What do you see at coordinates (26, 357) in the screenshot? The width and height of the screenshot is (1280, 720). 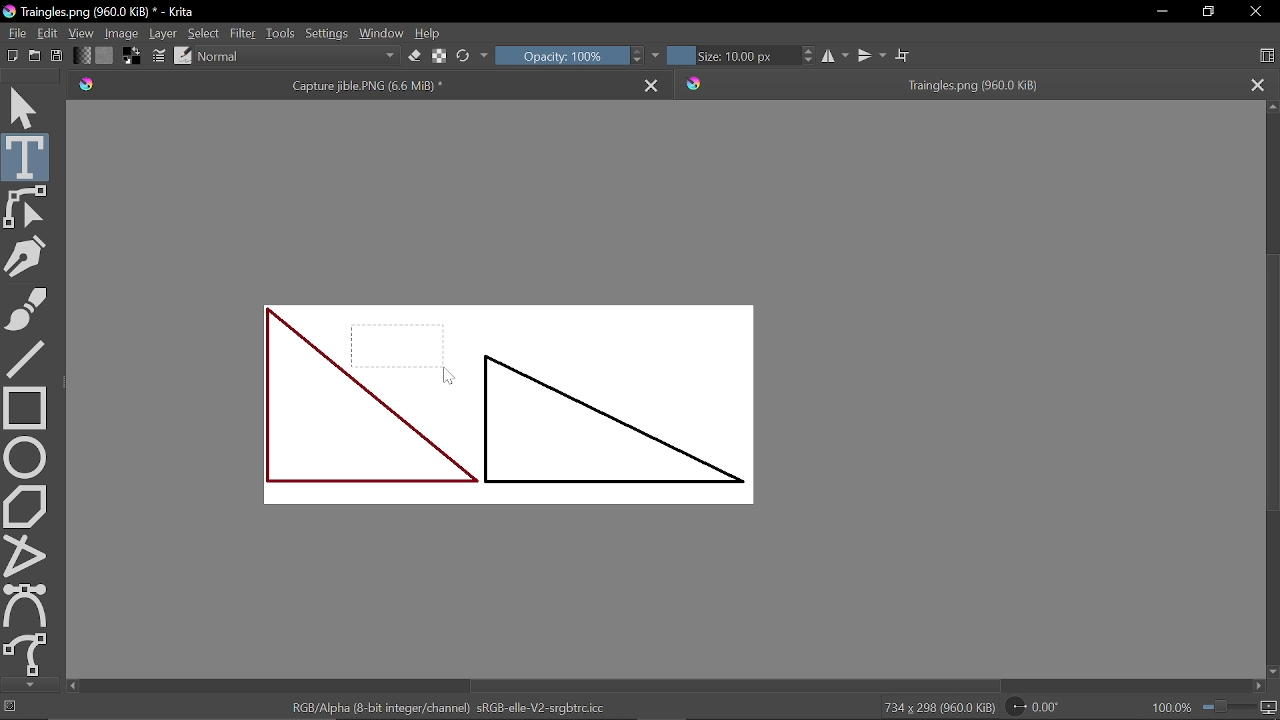 I see `Line tool` at bounding box center [26, 357].